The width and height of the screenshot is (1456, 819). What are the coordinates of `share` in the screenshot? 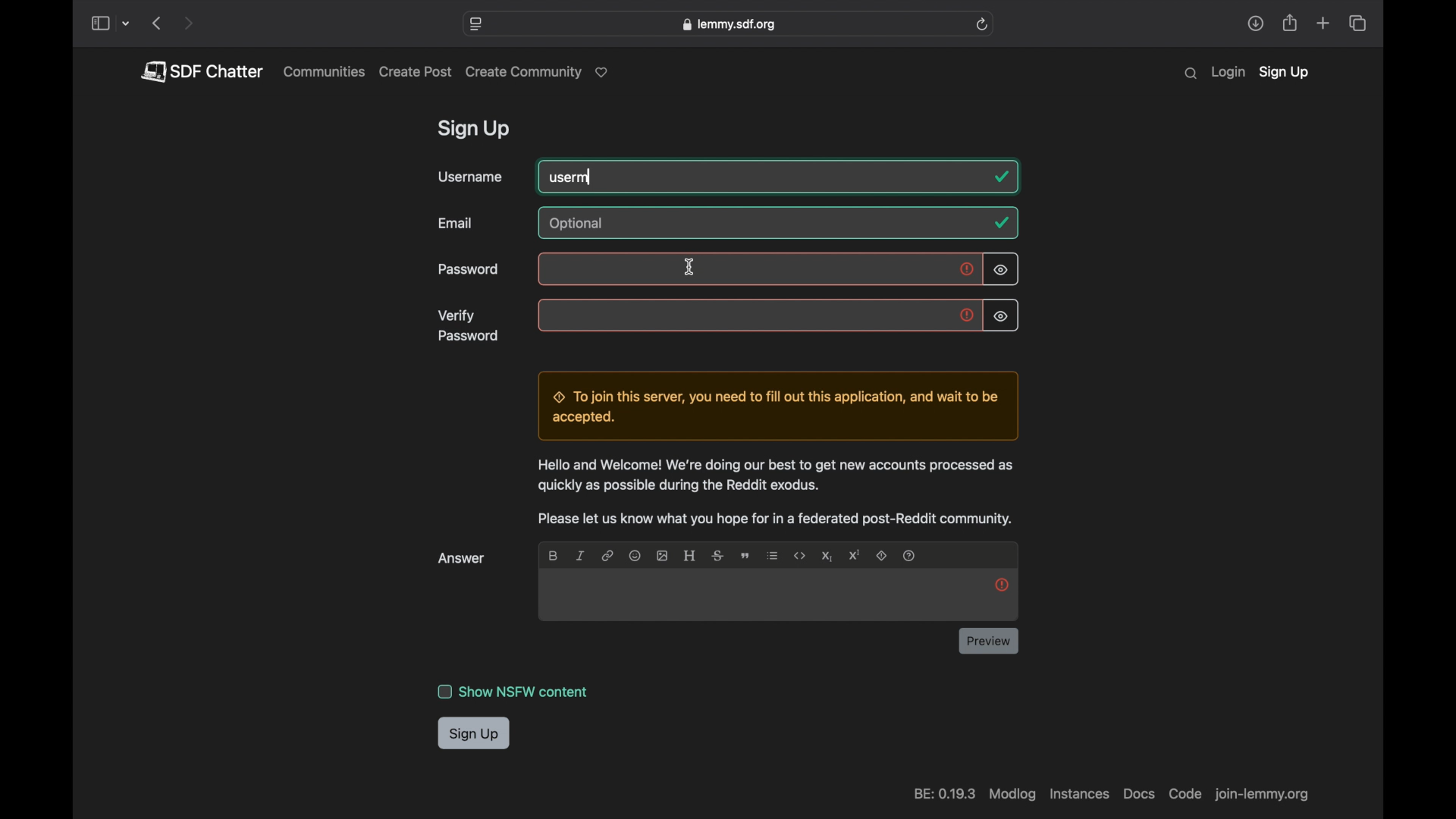 It's located at (1255, 24).